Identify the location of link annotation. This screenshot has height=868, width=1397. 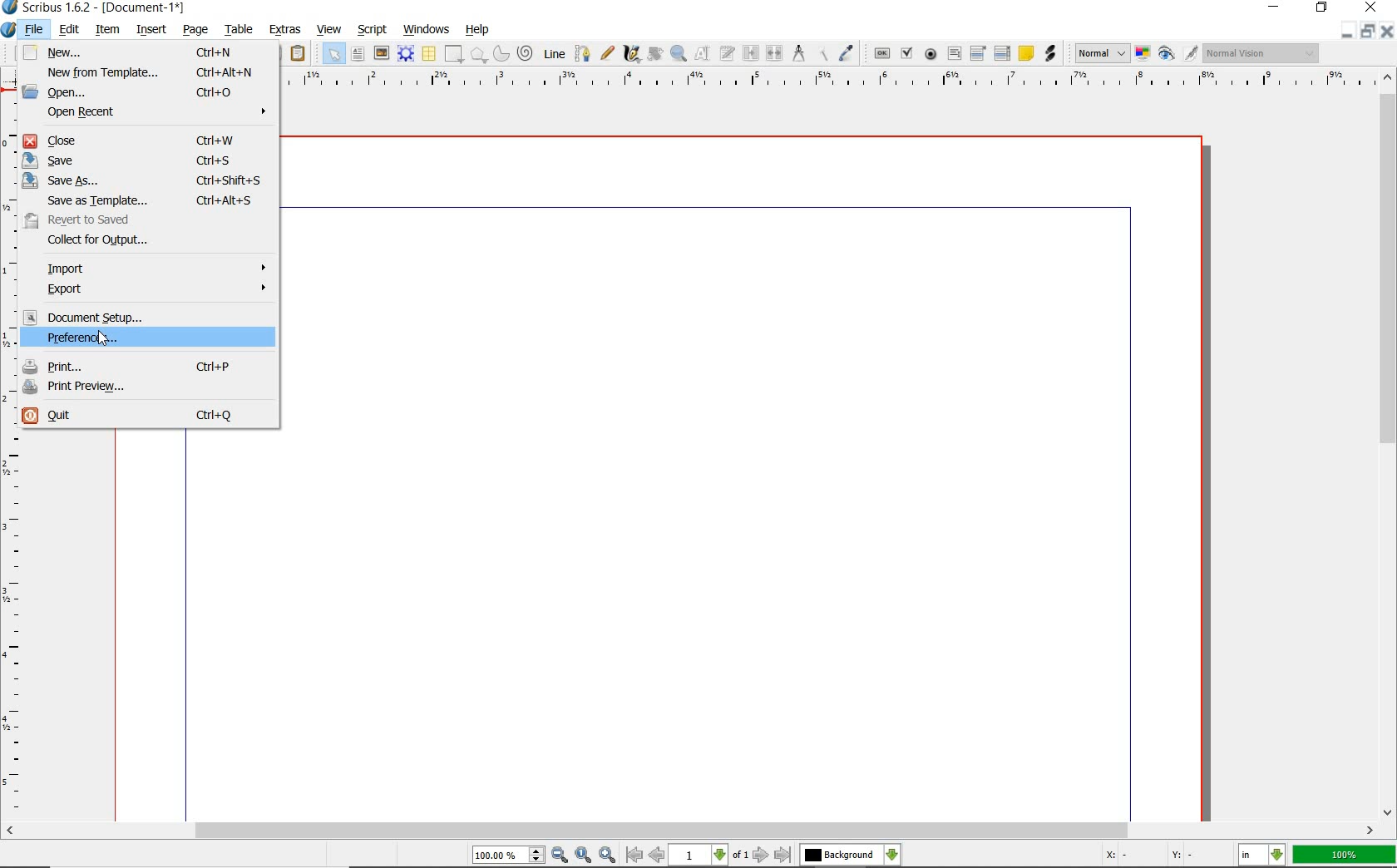
(1051, 54).